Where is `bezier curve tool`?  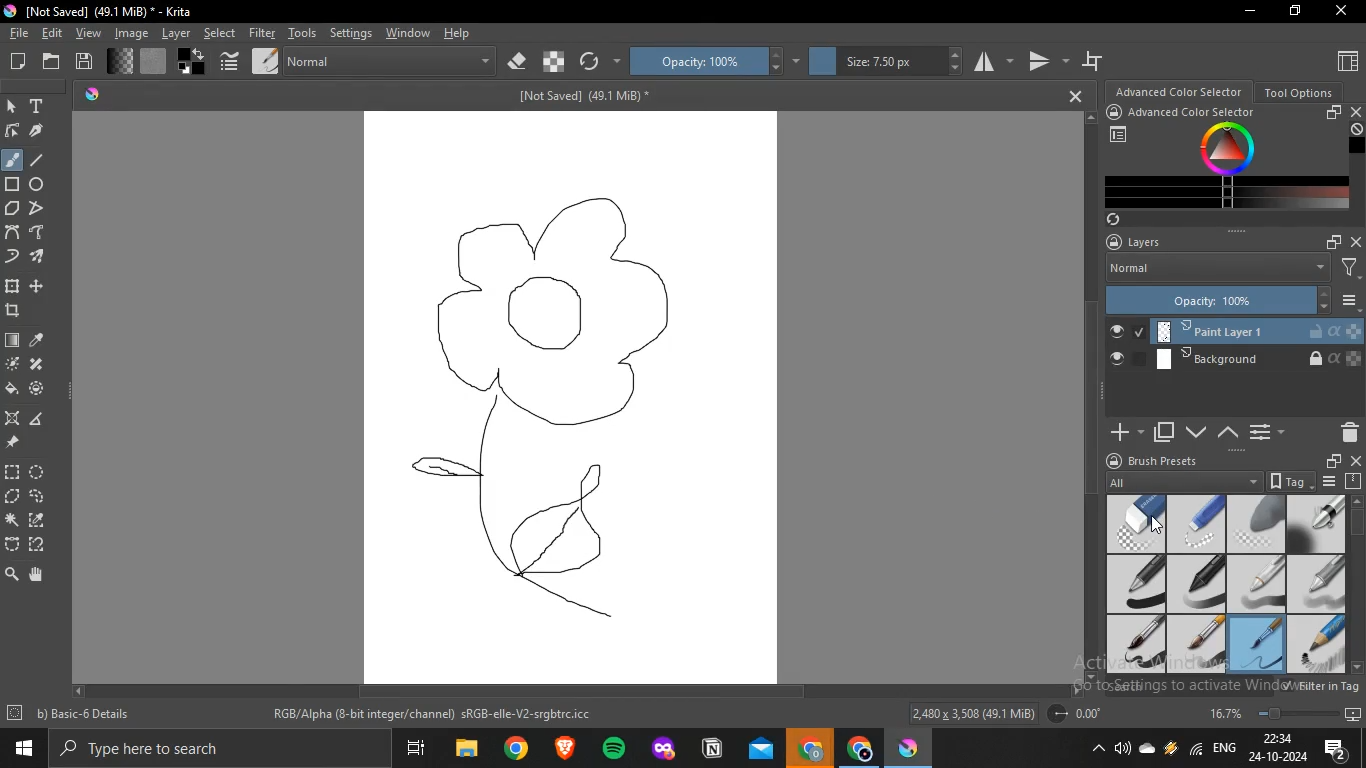 bezier curve tool is located at coordinates (13, 231).